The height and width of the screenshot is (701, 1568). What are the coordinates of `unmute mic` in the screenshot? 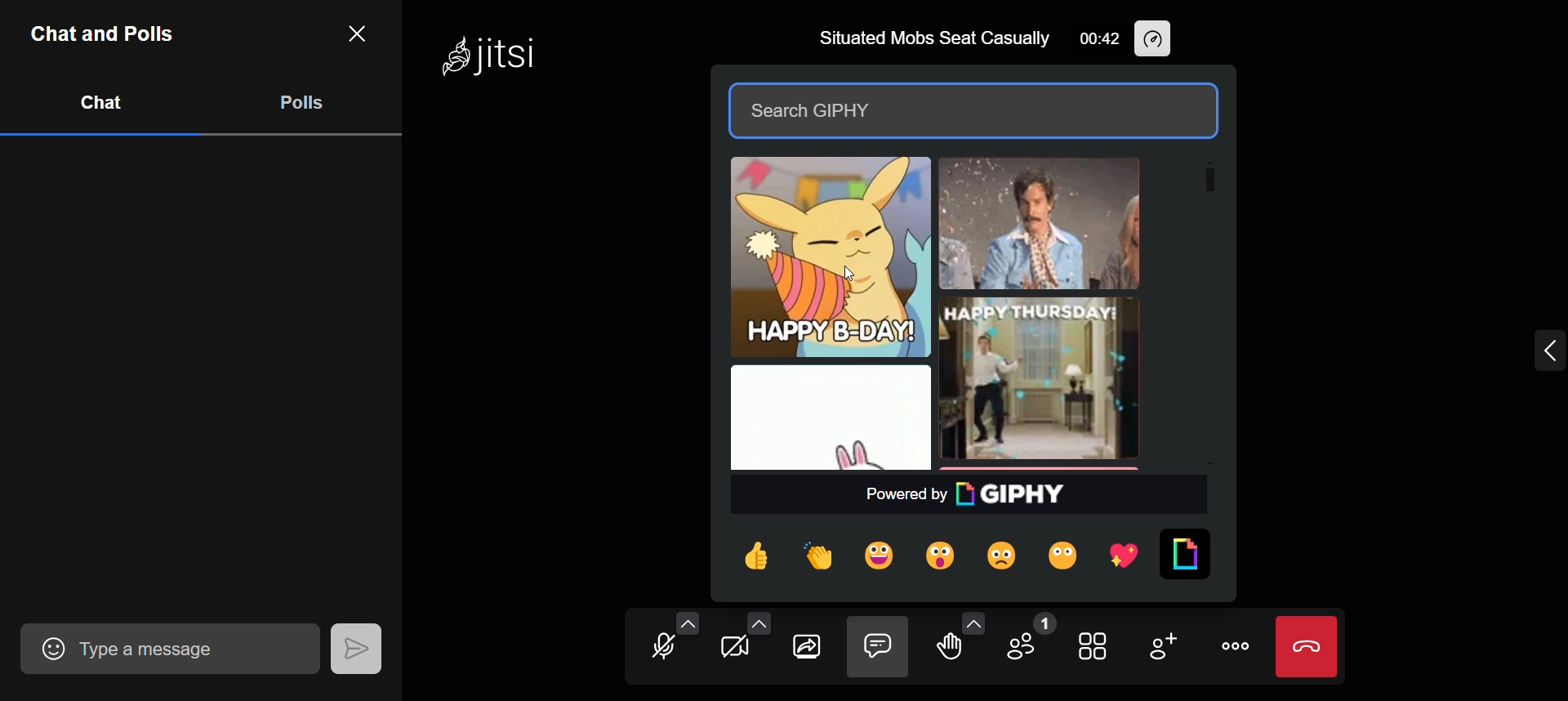 It's located at (661, 649).